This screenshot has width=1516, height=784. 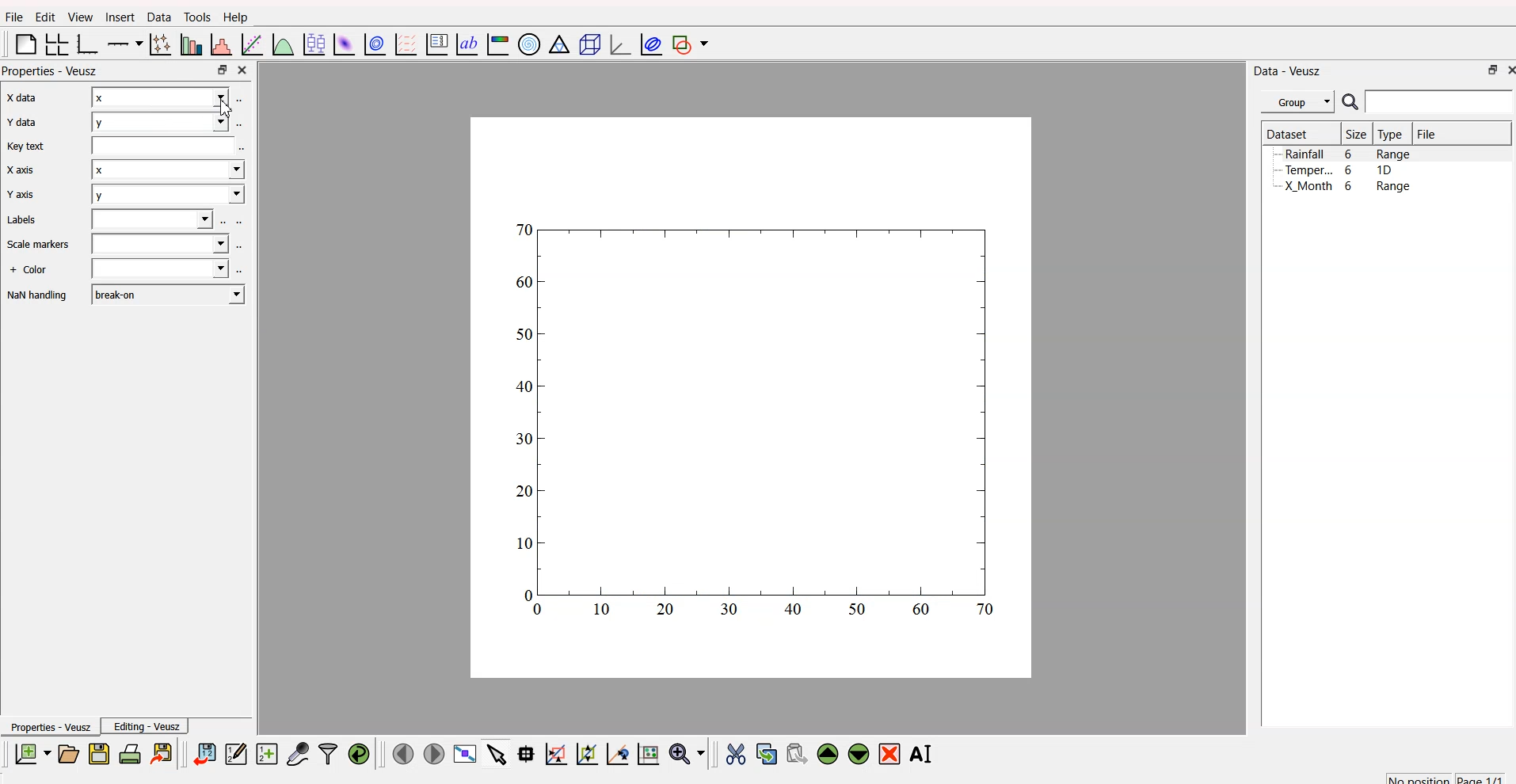 I want to click on blank page, so click(x=22, y=47).